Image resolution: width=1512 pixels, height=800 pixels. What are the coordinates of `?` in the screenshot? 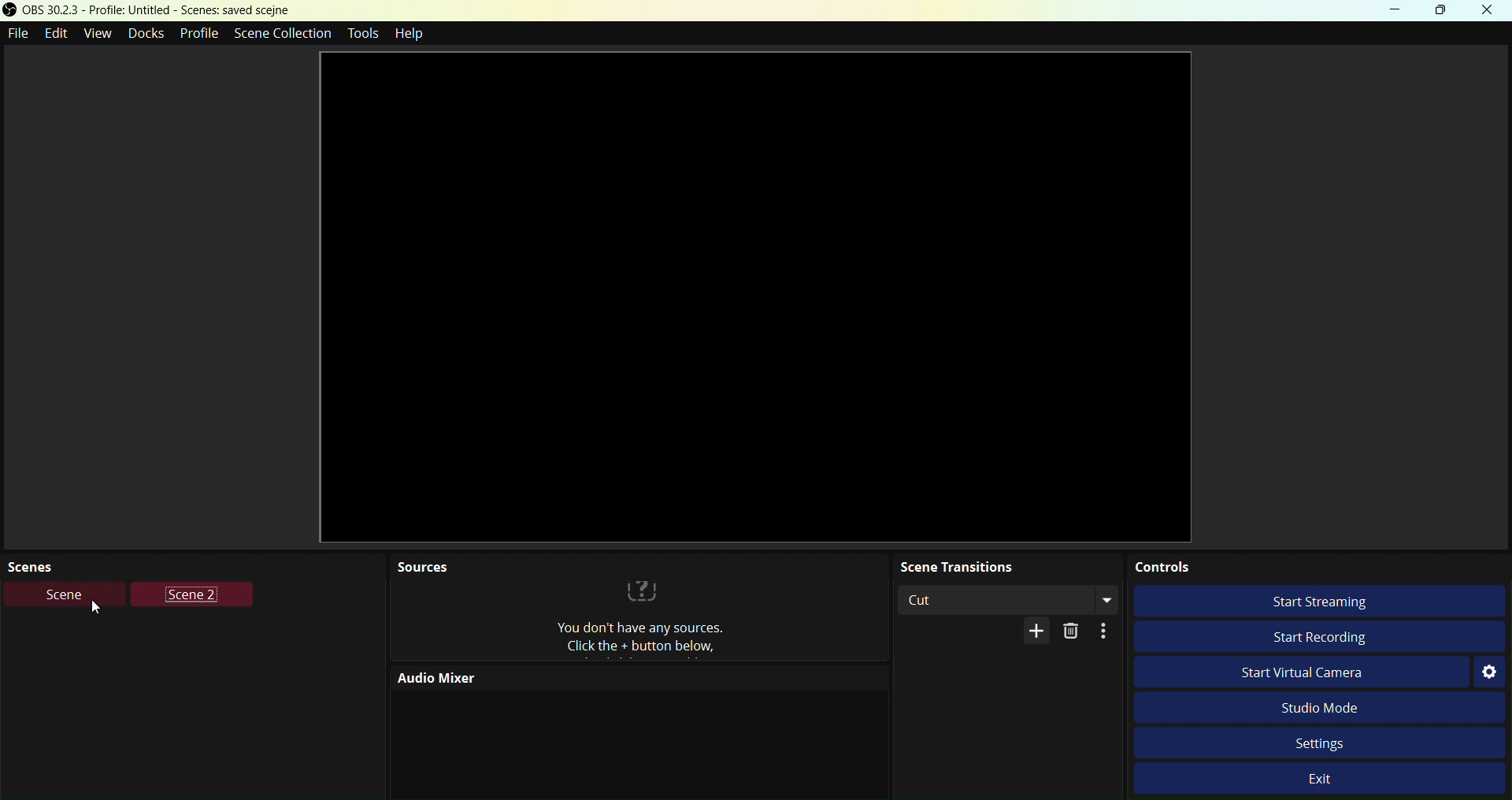 It's located at (642, 588).